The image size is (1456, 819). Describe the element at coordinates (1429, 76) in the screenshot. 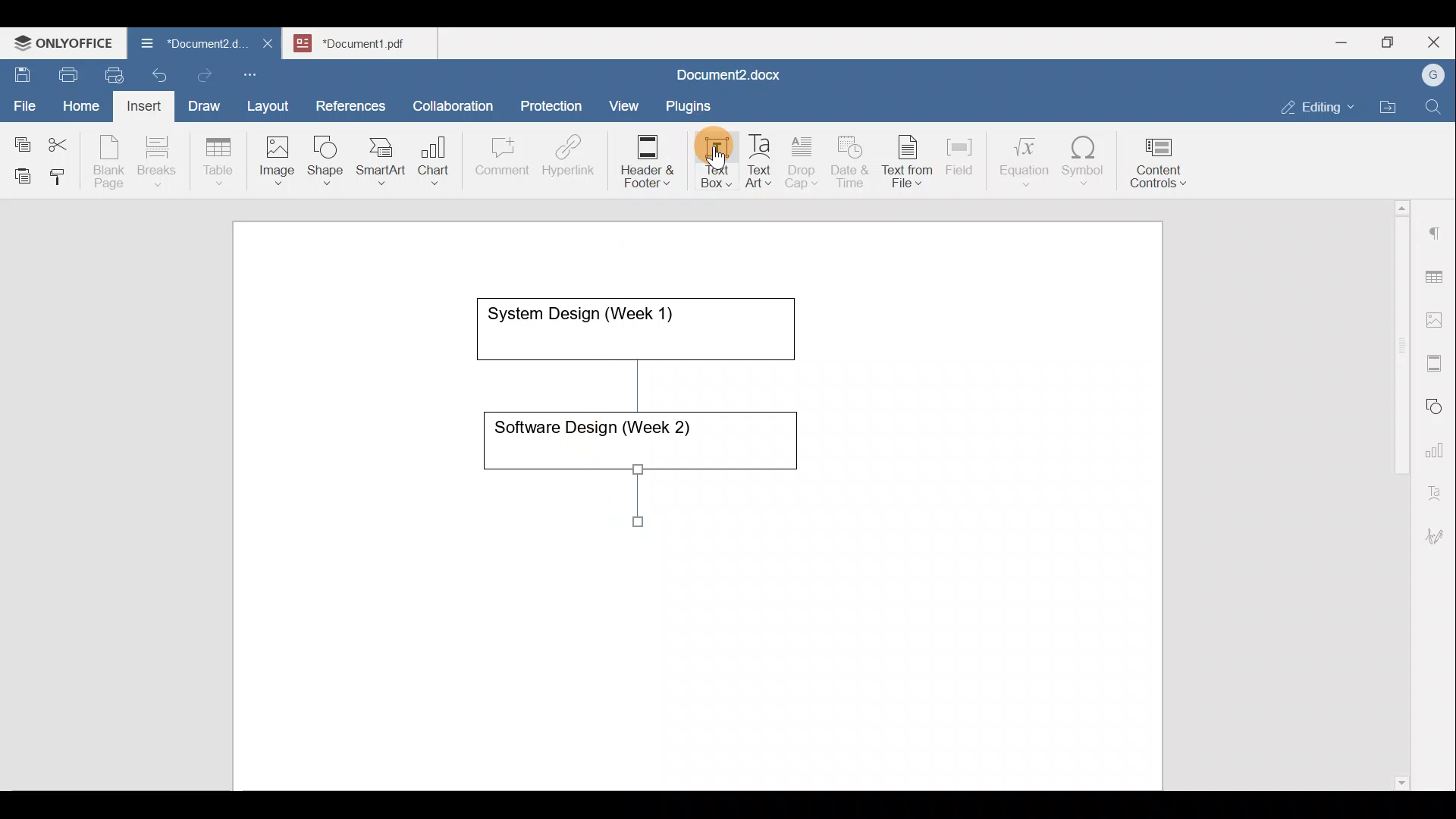

I see `Account name` at that location.